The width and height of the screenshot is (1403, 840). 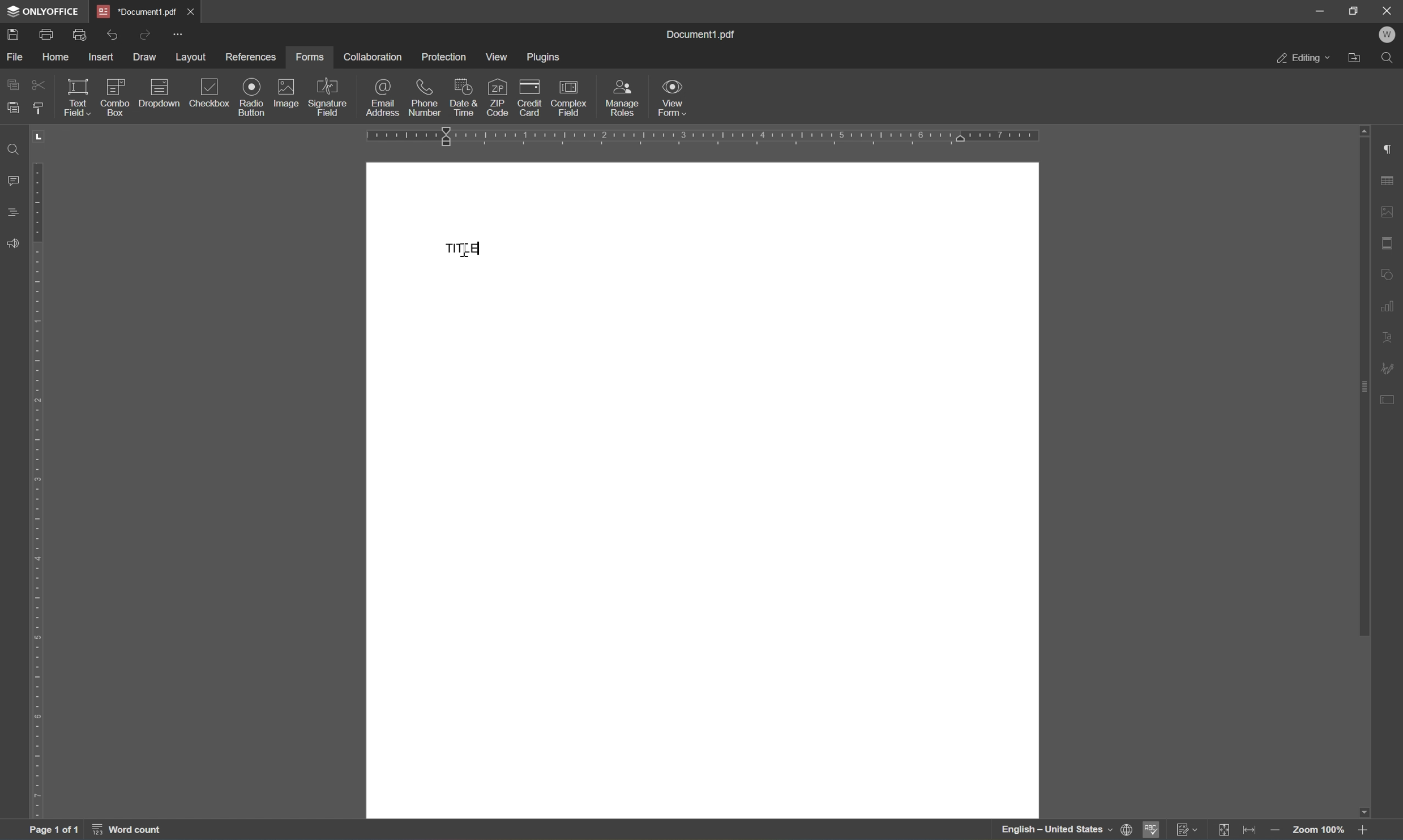 What do you see at coordinates (495, 57) in the screenshot?
I see `view` at bounding box center [495, 57].